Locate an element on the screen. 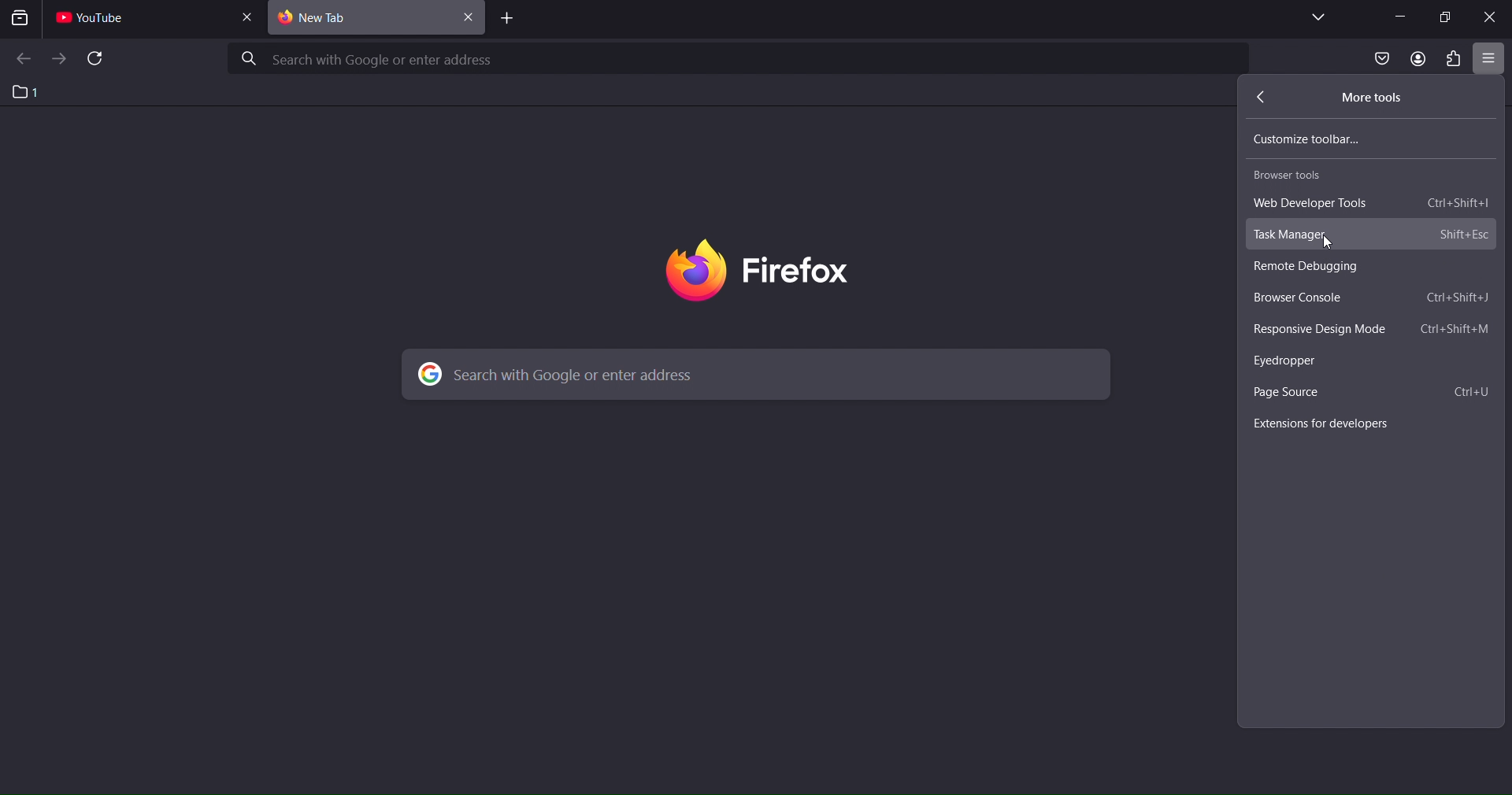  responsive design mode is located at coordinates (1326, 328).